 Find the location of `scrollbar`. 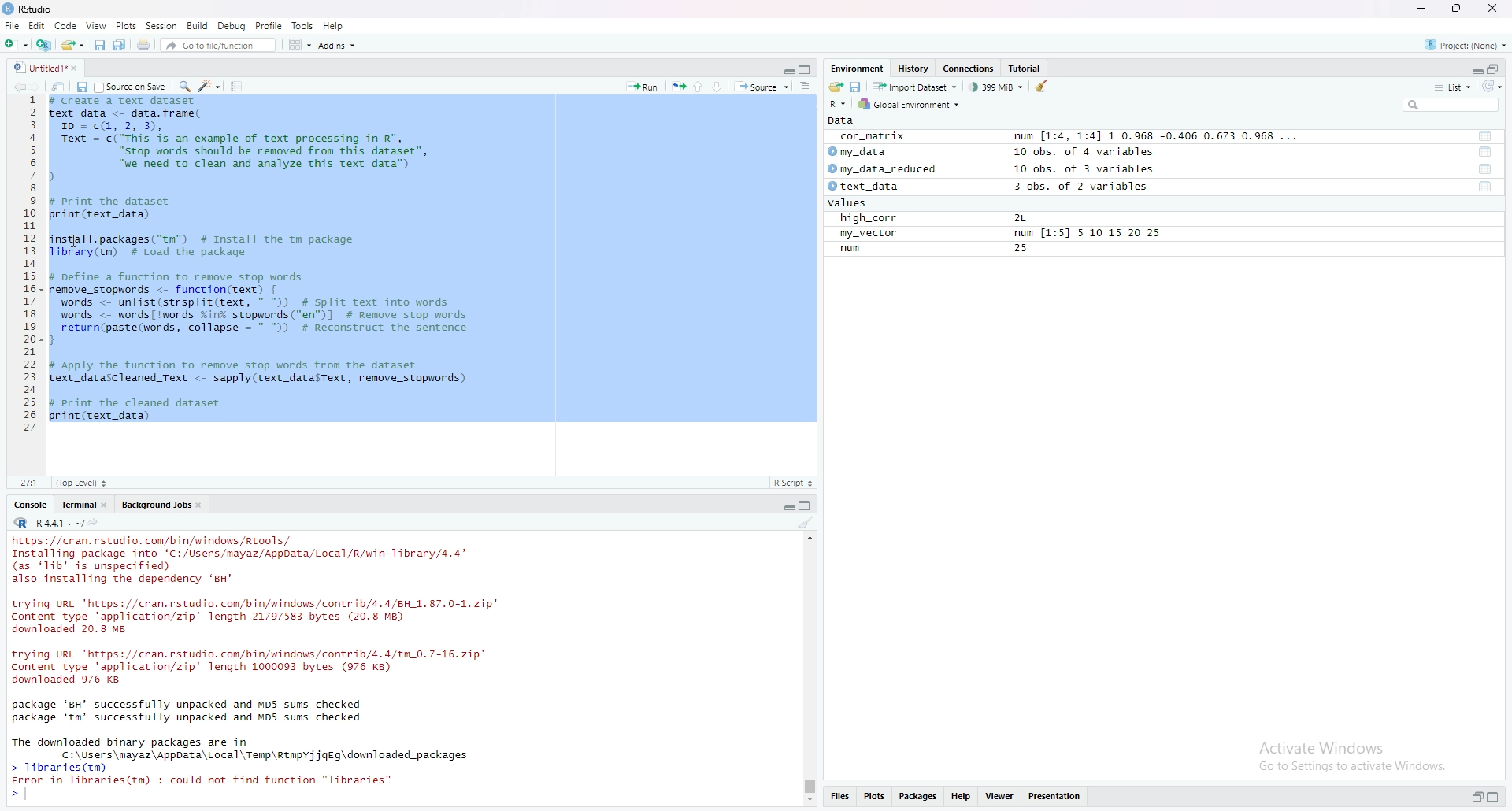

scrollbar is located at coordinates (807, 670).